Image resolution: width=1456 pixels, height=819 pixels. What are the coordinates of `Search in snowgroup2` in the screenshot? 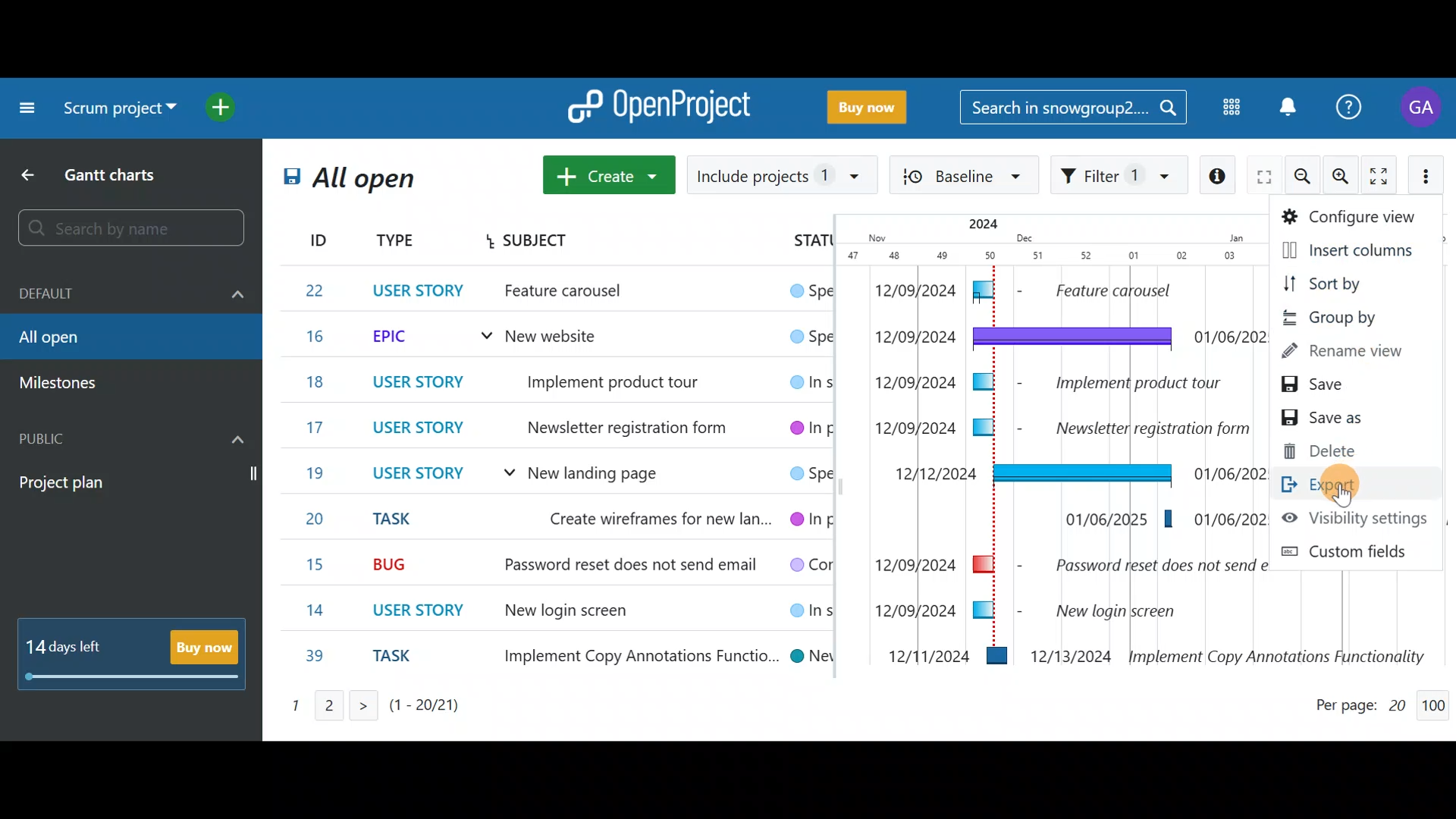 It's located at (1074, 110).